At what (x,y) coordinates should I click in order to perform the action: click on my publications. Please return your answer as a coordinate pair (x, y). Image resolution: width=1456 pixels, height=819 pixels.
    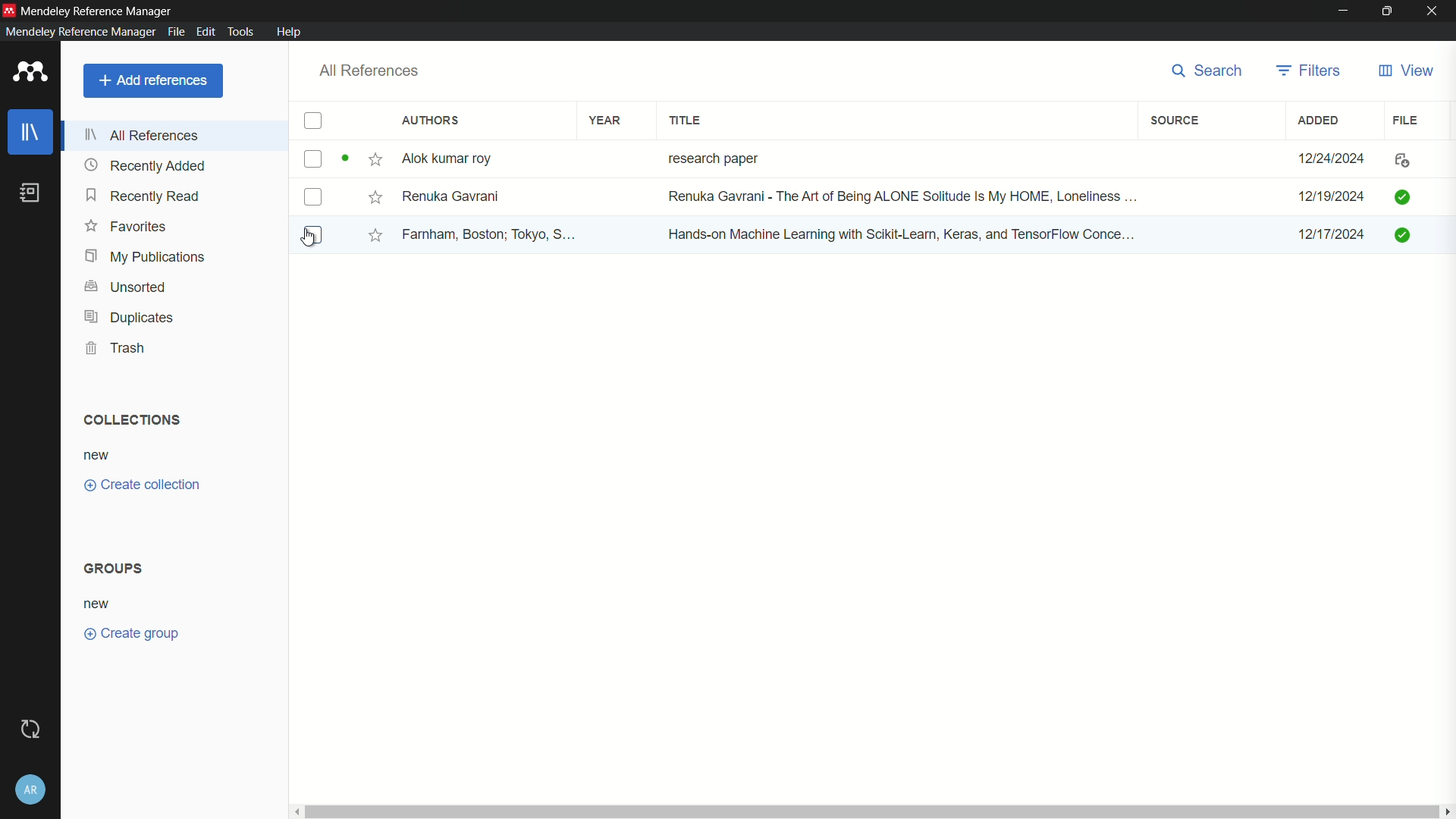
    Looking at the image, I should click on (146, 256).